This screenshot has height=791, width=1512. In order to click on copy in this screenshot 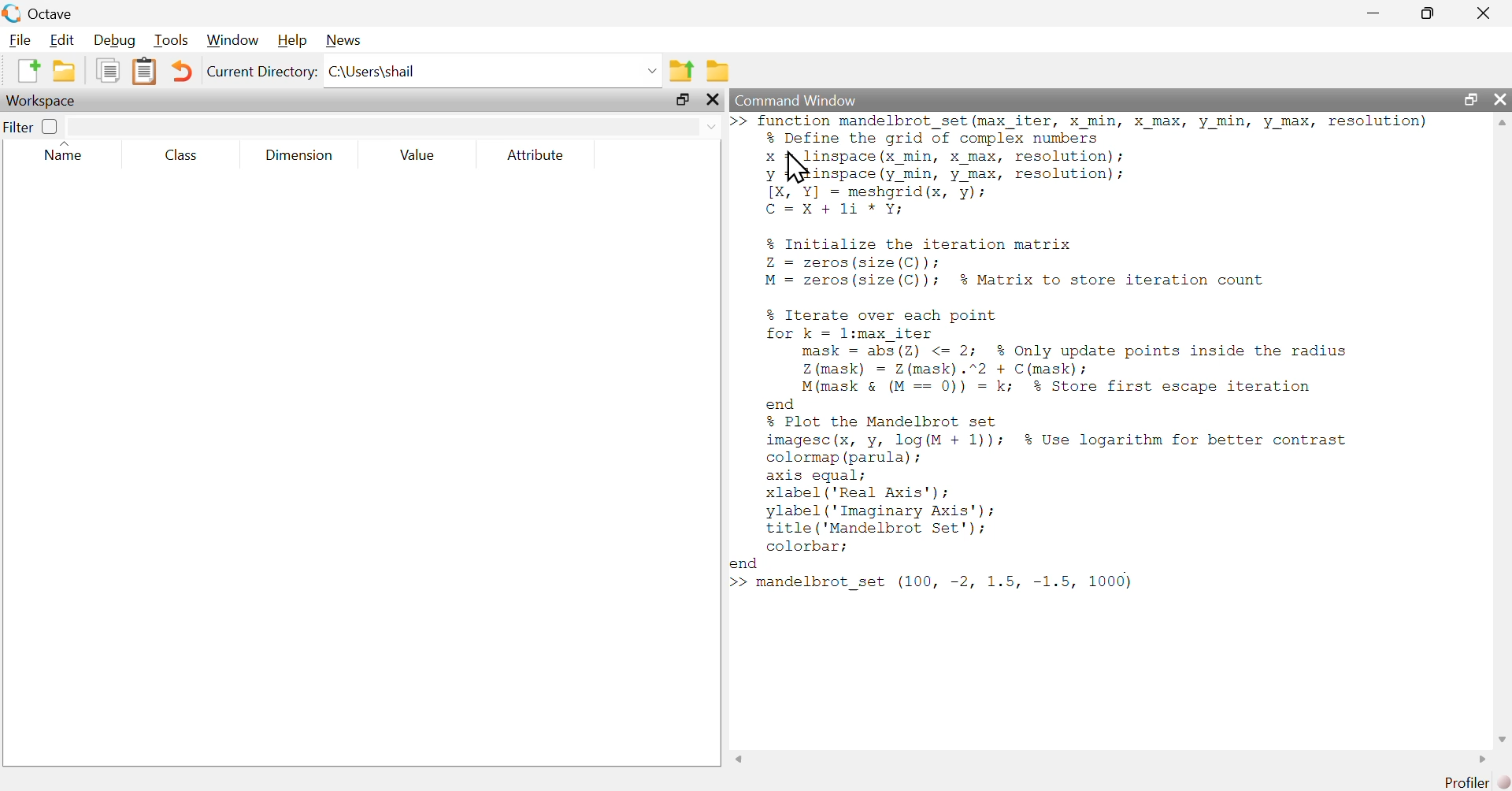, I will do `click(107, 71)`.